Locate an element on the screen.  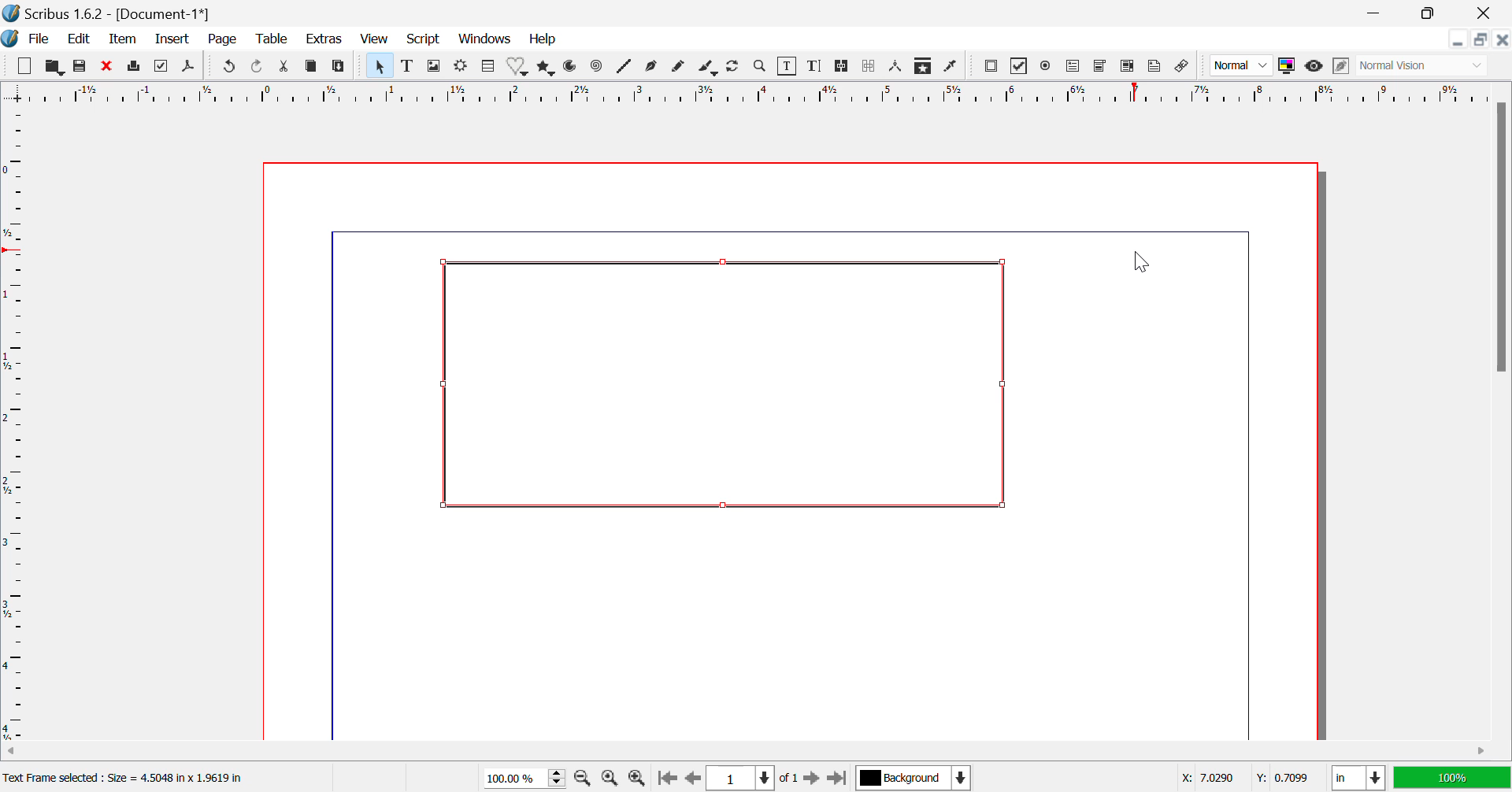
Render Frame is located at coordinates (463, 66).